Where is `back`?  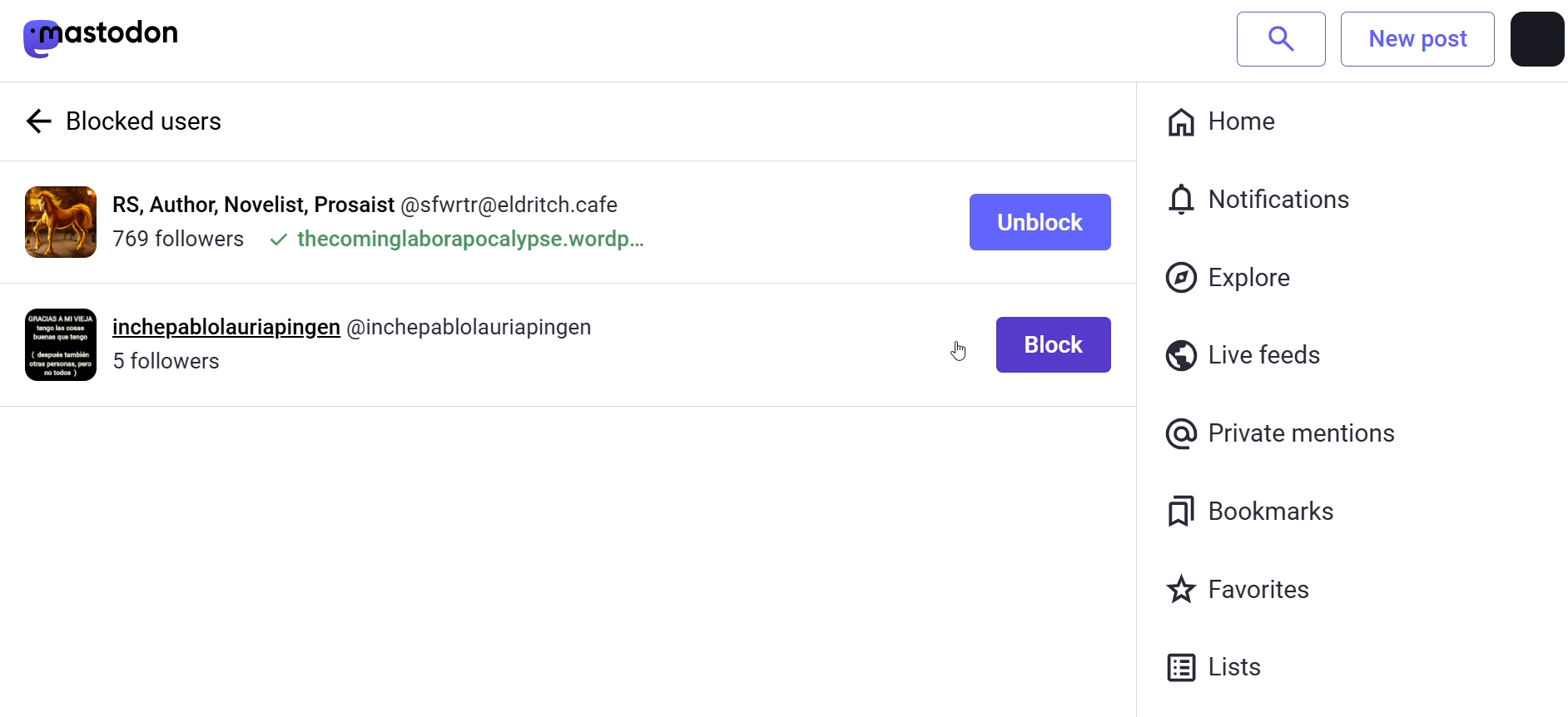
back is located at coordinates (36, 120).